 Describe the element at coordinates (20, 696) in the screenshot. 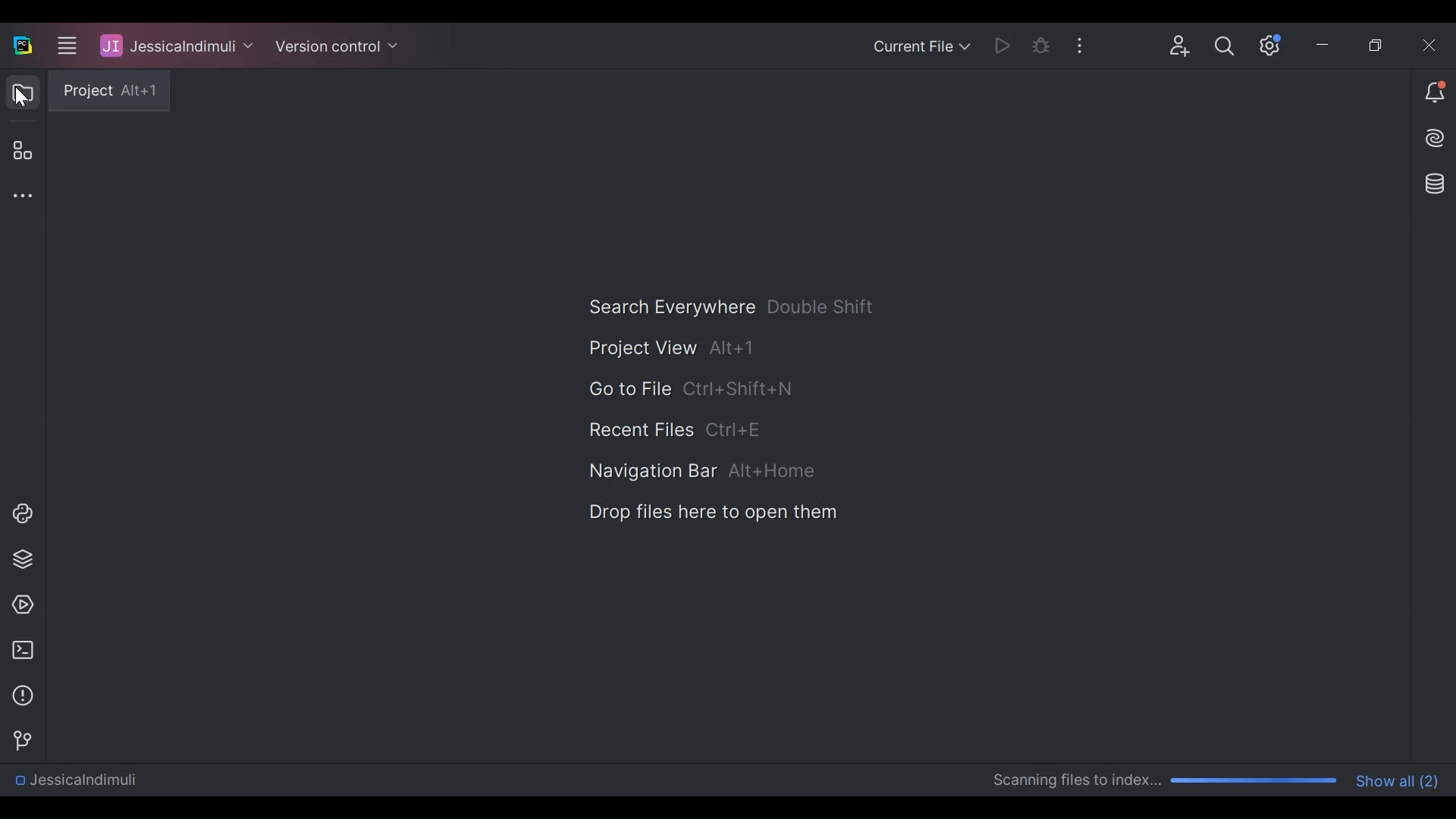

I see `Problems` at that location.